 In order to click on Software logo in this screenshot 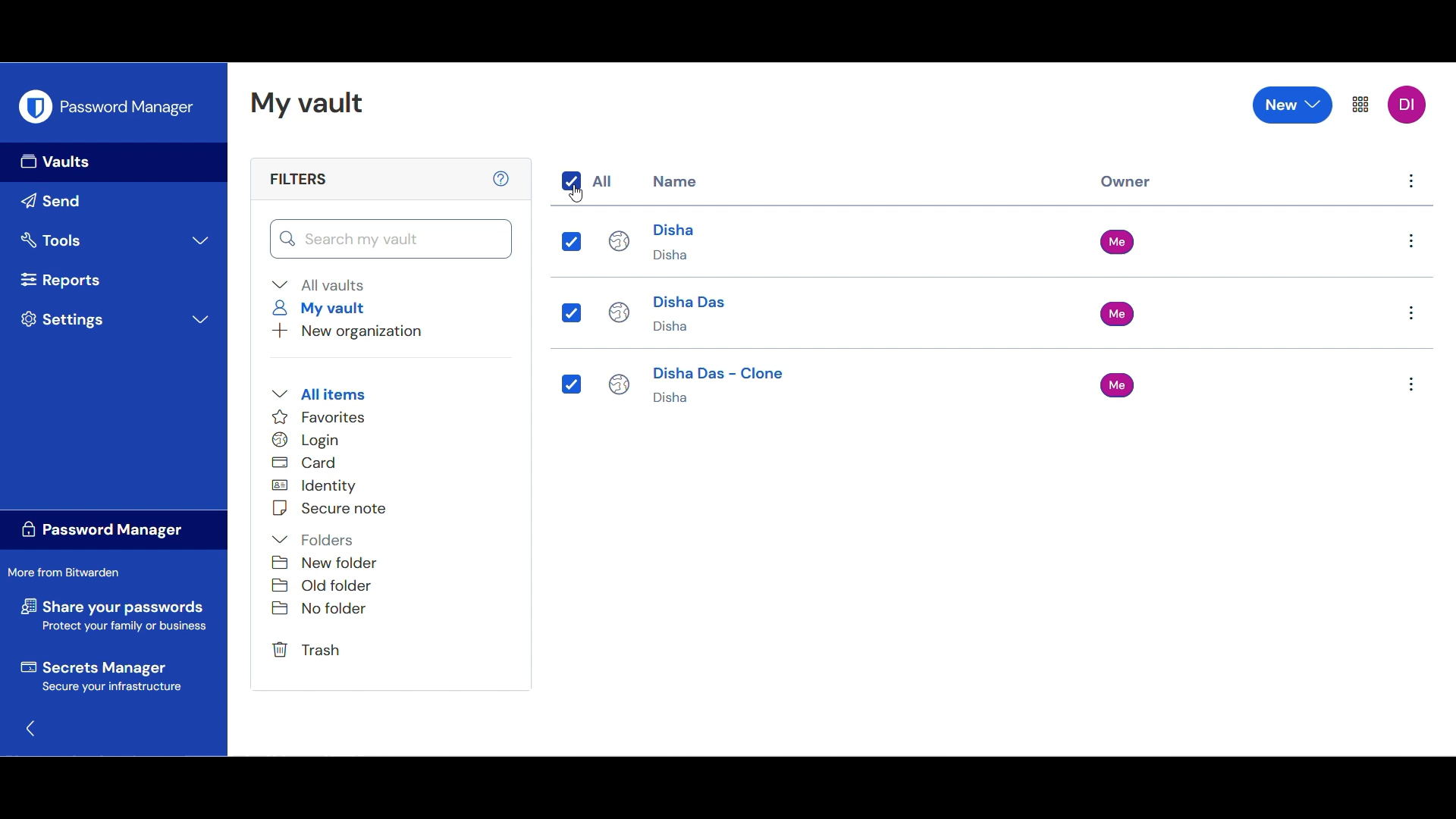, I will do `click(35, 105)`.